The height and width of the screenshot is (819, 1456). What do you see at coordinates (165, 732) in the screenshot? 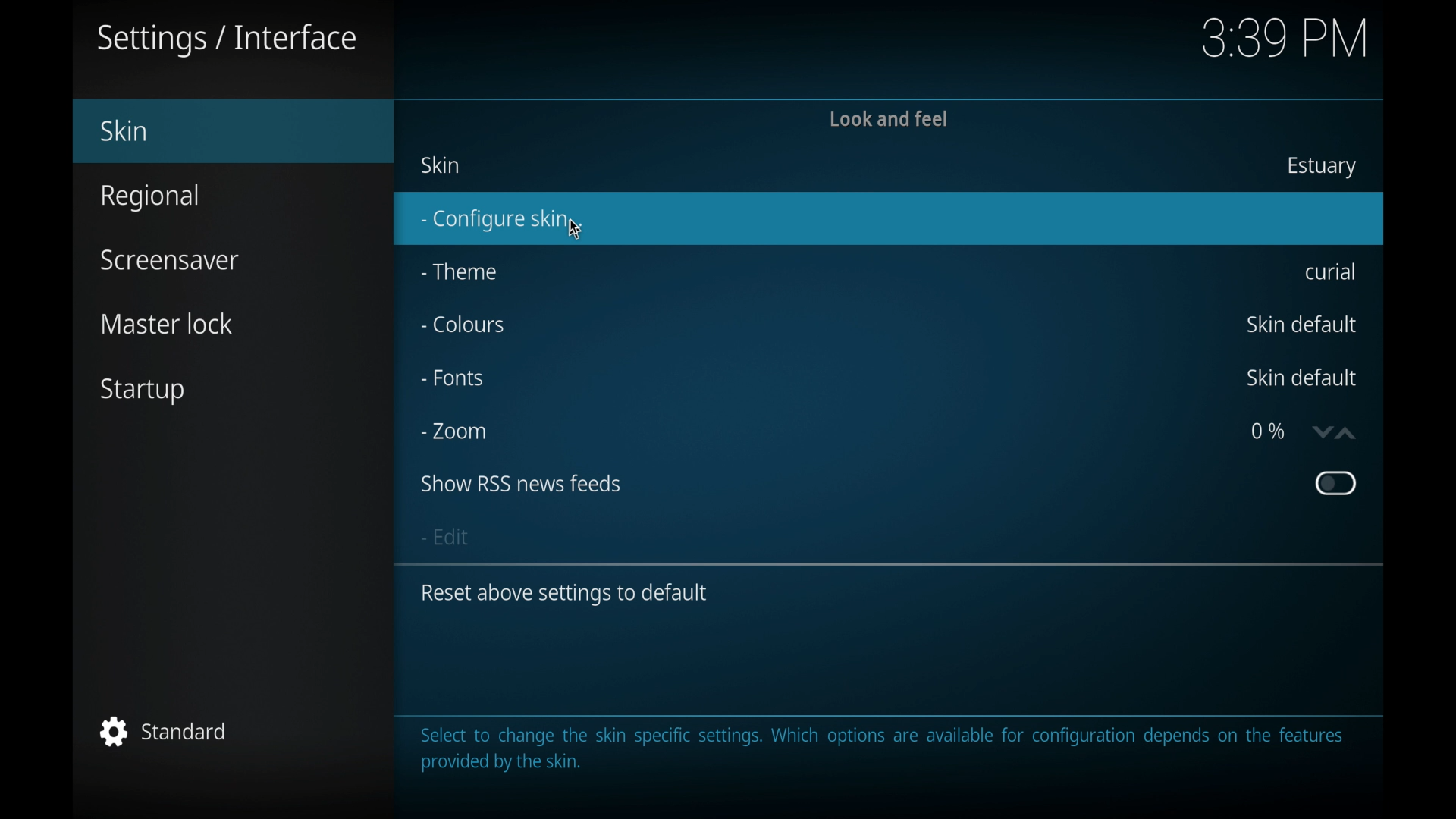
I see `standard` at bounding box center [165, 732].